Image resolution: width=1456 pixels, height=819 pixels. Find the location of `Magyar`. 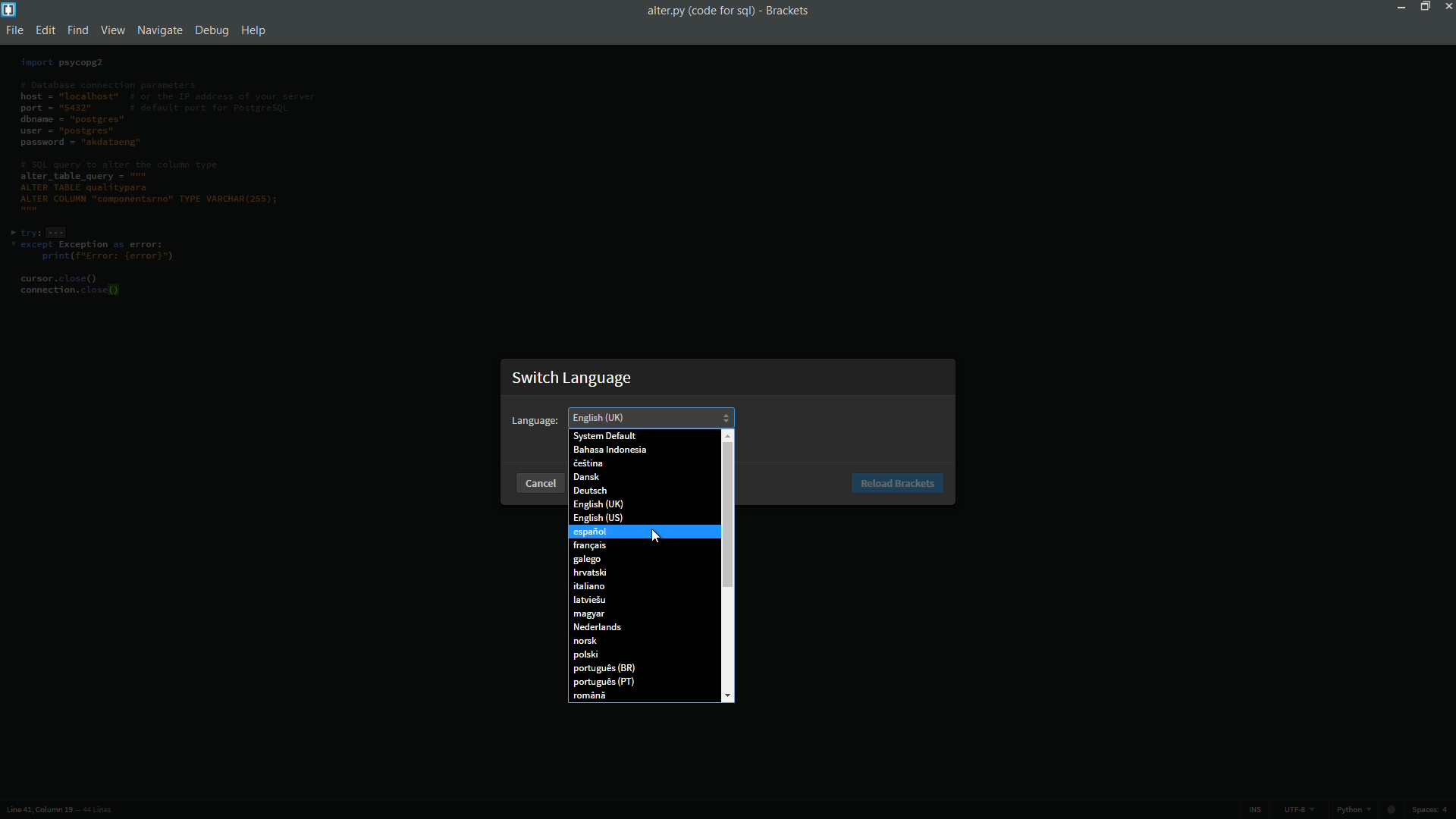

Magyar is located at coordinates (645, 613).